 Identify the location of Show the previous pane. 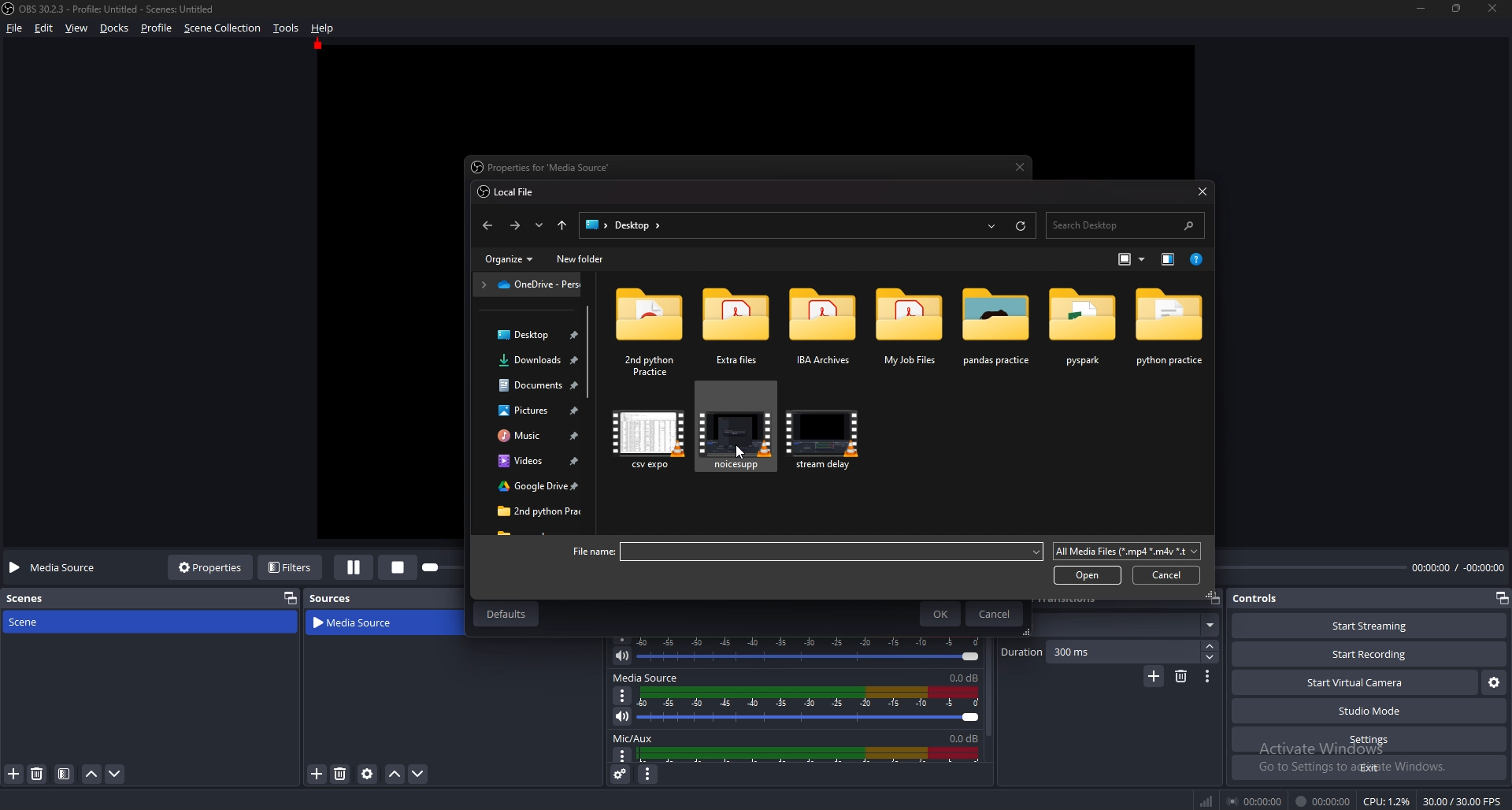
(1169, 259).